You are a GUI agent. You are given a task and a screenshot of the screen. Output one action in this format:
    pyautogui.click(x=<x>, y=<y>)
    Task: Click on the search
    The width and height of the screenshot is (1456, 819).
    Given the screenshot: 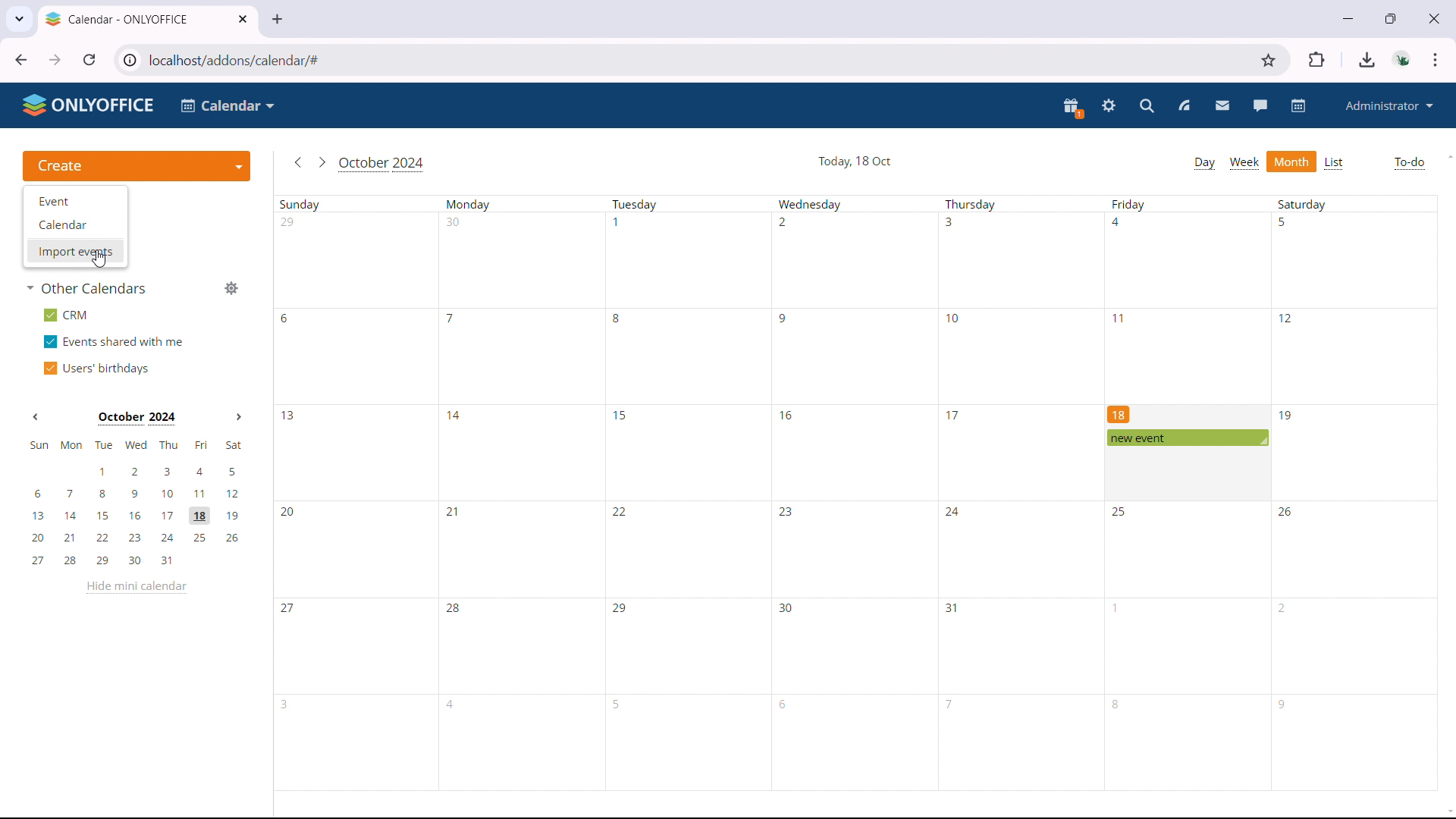 What is the action you would take?
    pyautogui.click(x=1148, y=106)
    